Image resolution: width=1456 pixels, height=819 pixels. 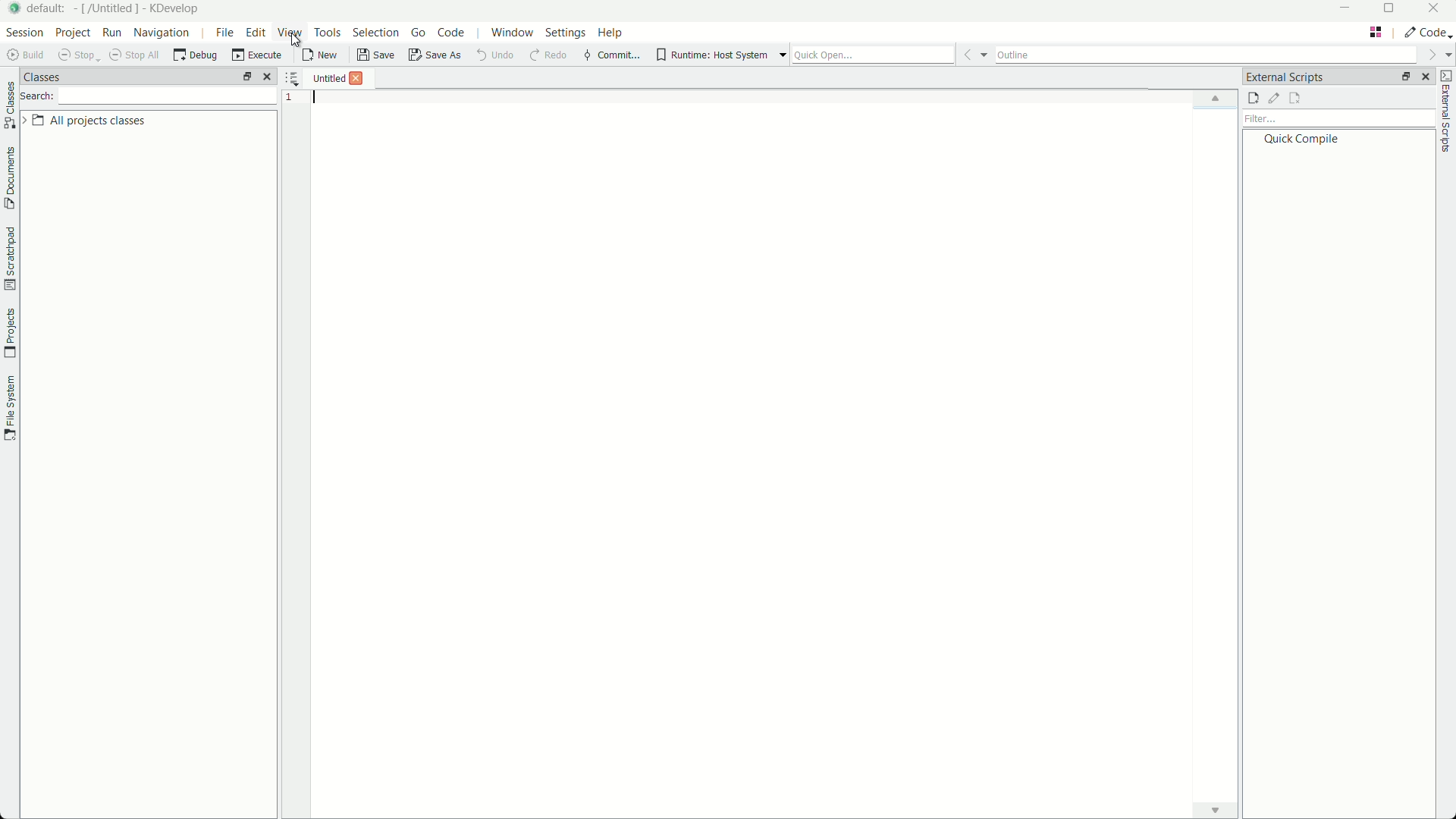 What do you see at coordinates (26, 55) in the screenshot?
I see `build` at bounding box center [26, 55].